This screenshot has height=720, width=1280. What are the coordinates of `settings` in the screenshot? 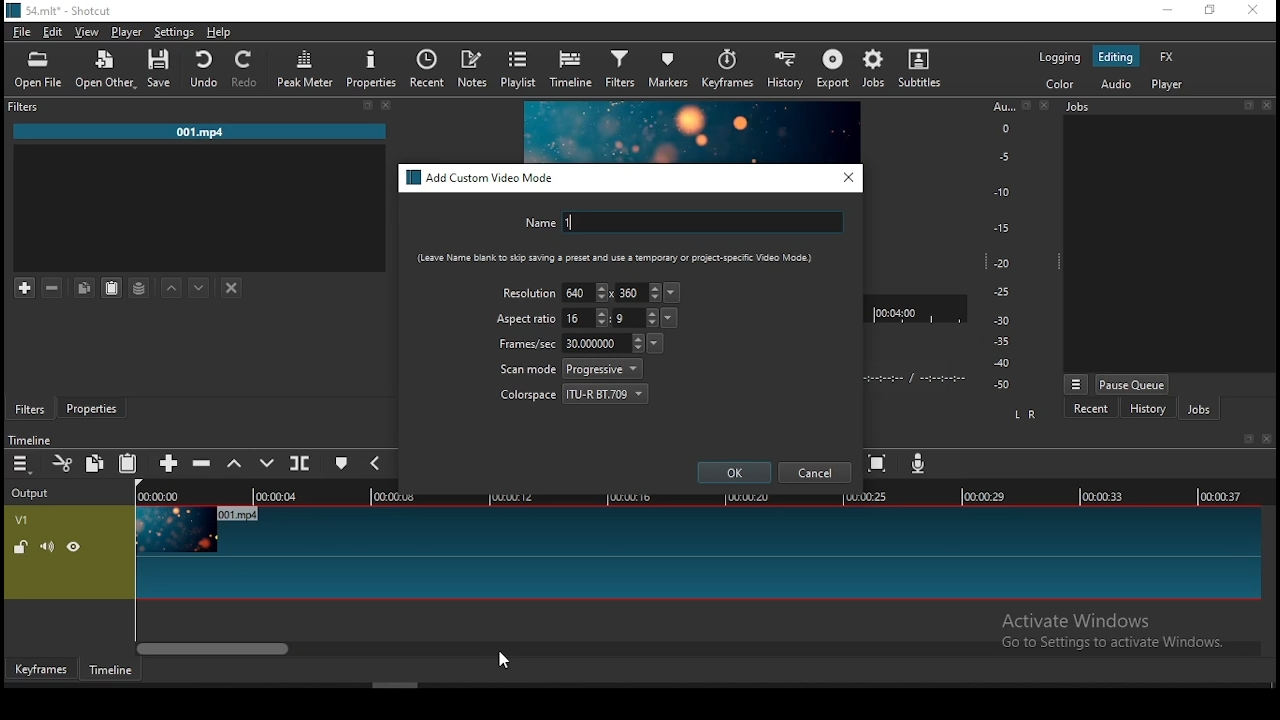 It's located at (171, 32).